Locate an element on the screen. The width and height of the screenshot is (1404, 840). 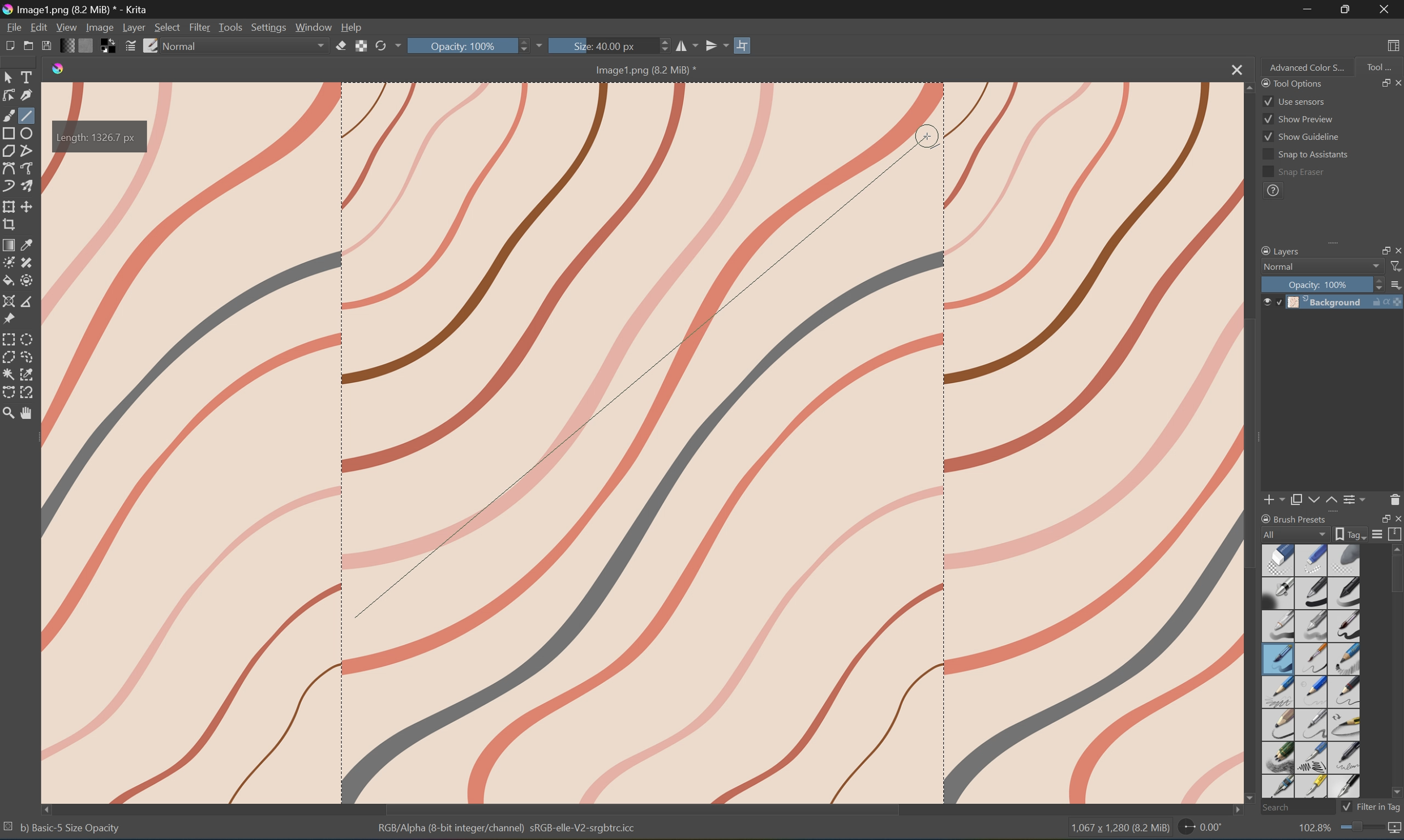
Bezier curve tool is located at coordinates (9, 168).